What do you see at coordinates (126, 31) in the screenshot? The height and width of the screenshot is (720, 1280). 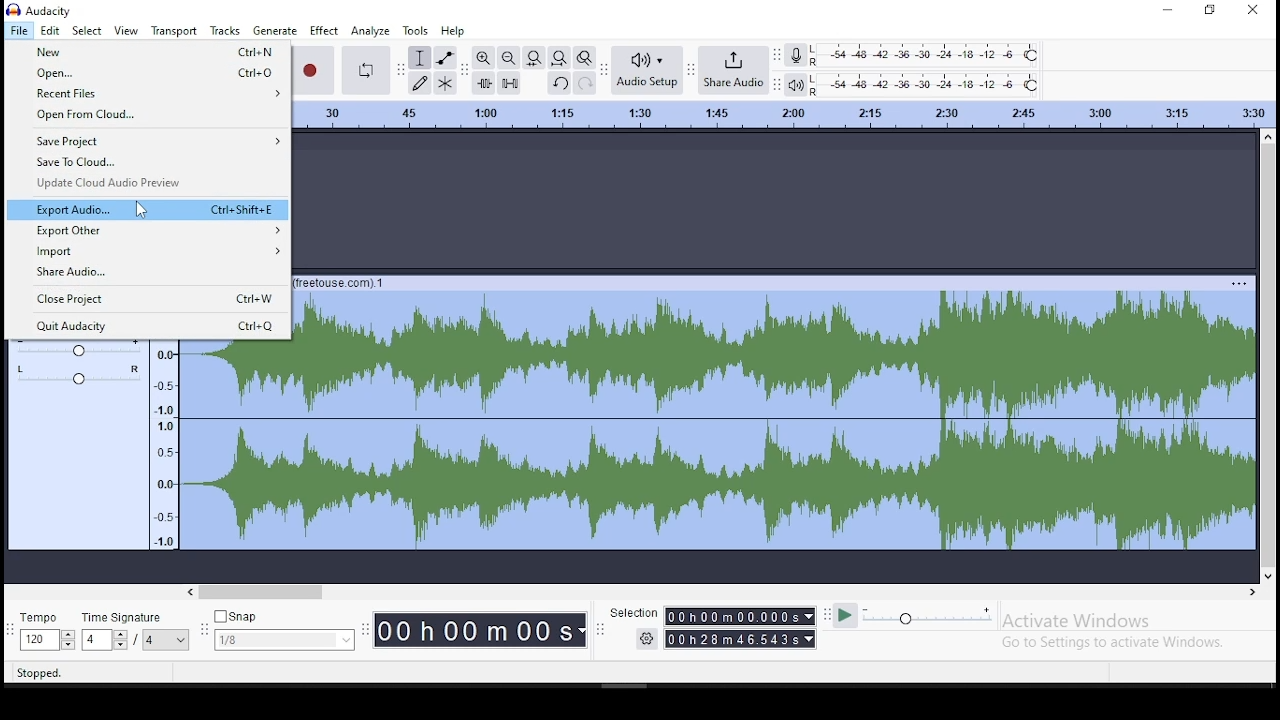 I see `view` at bounding box center [126, 31].